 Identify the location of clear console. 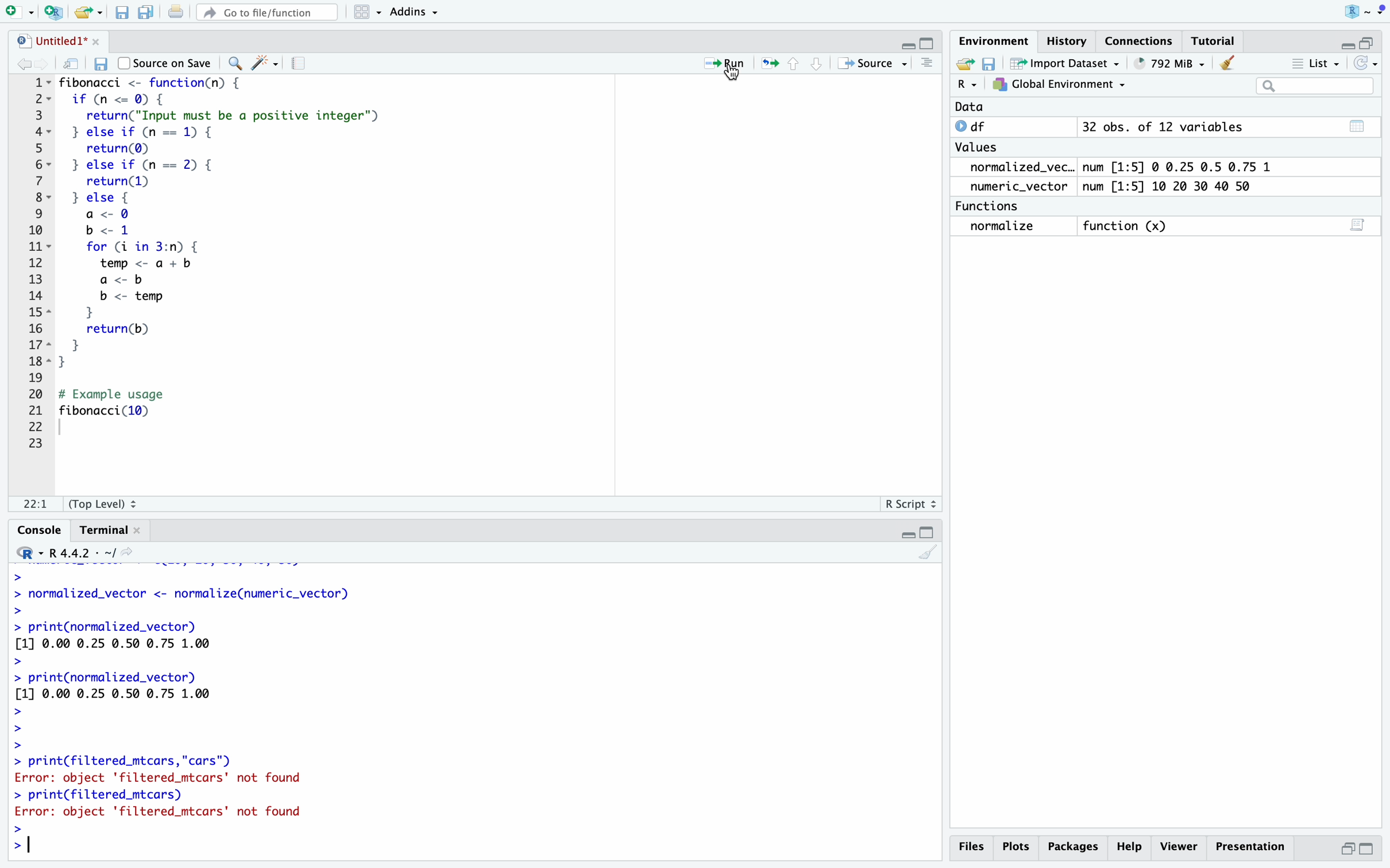
(928, 556).